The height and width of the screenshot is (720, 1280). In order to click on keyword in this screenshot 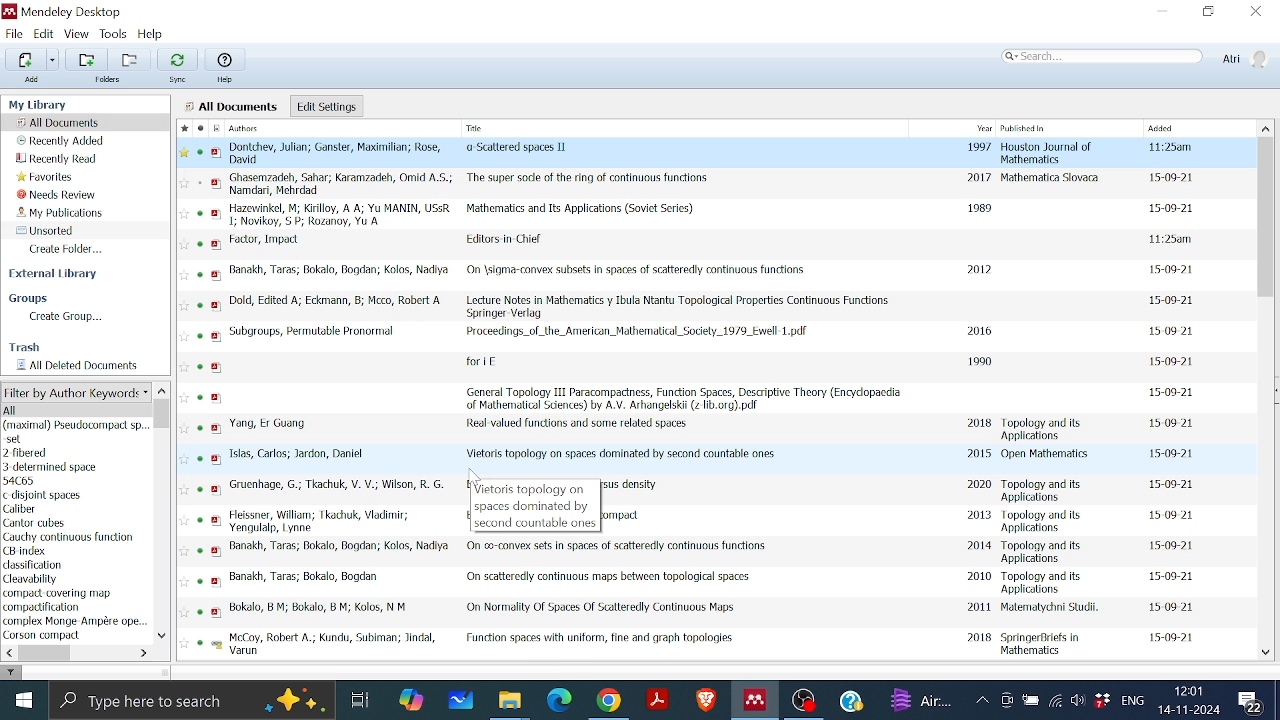, I will do `click(27, 509)`.